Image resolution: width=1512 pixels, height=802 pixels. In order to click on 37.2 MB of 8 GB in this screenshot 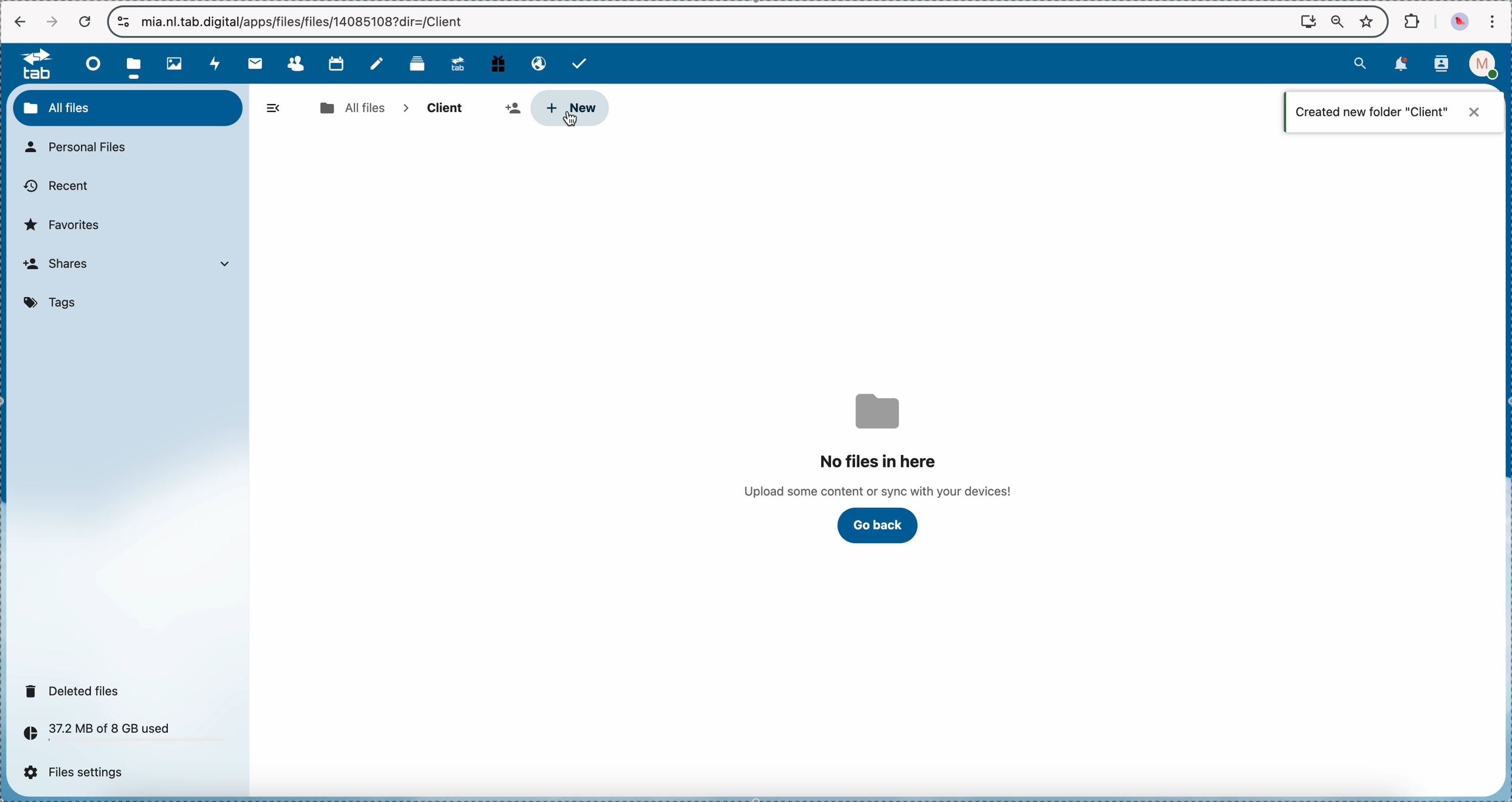, I will do `click(93, 735)`.